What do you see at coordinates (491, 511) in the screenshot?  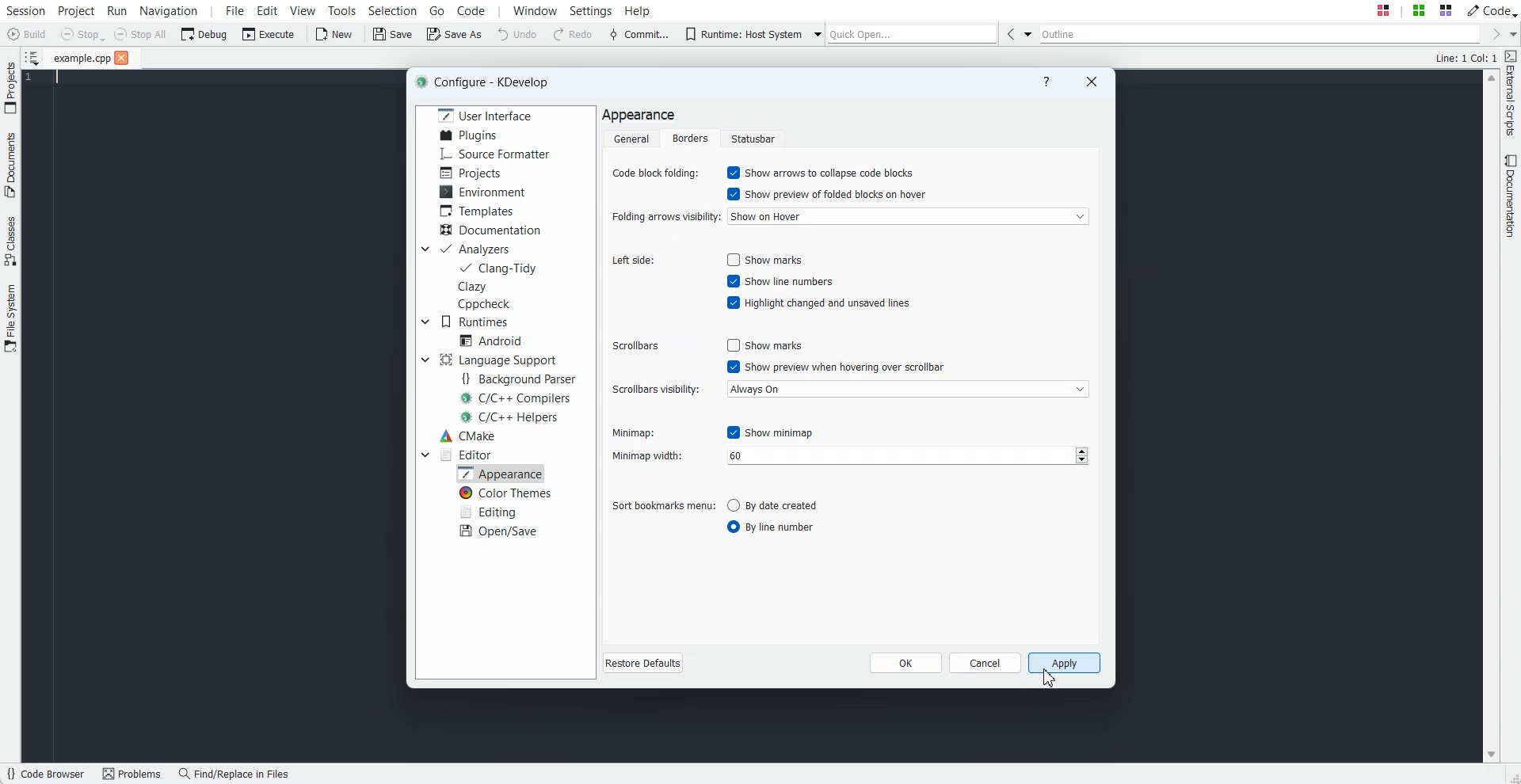 I see `Editing` at bounding box center [491, 511].